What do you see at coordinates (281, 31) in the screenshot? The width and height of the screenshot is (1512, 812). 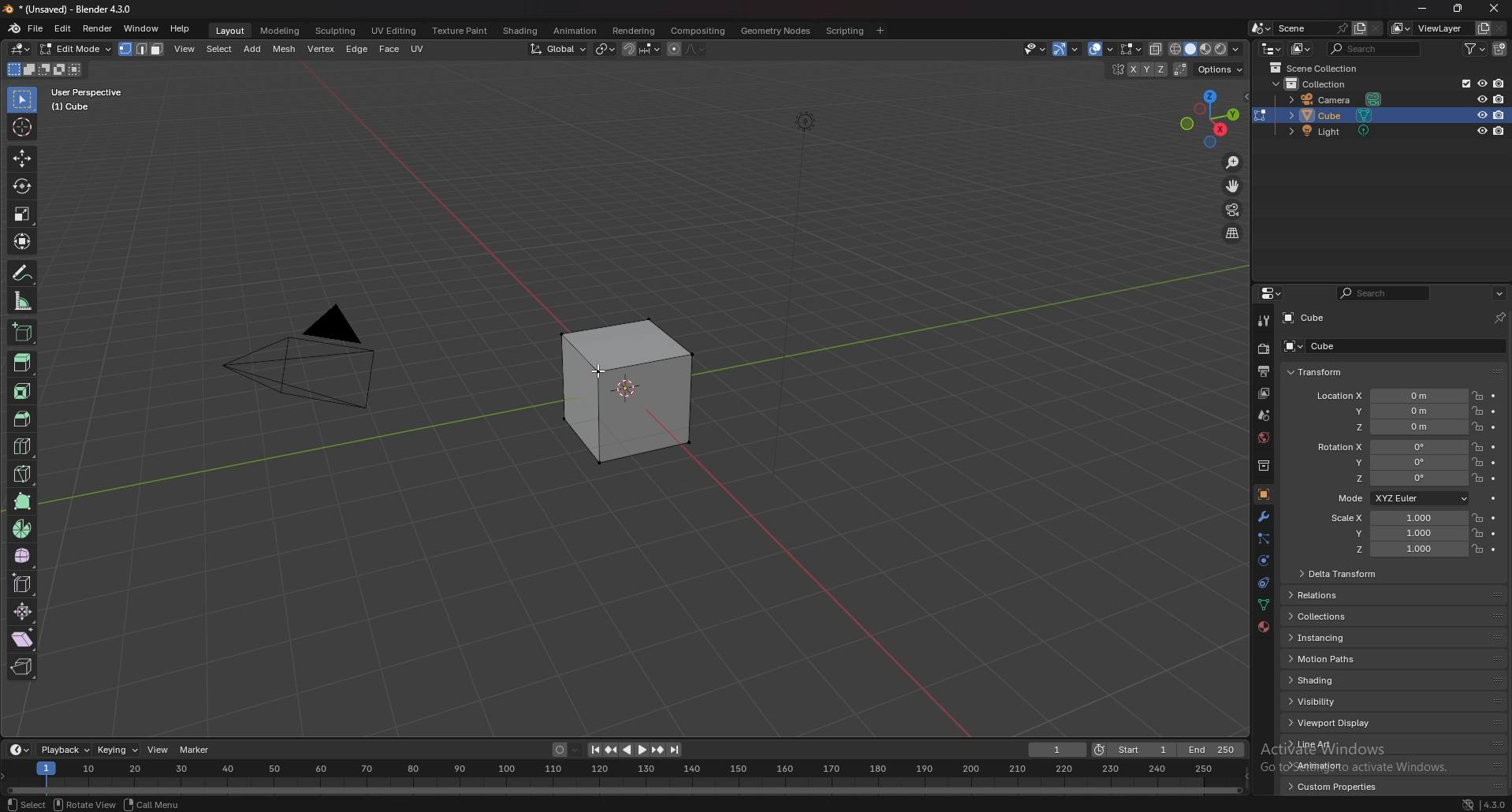 I see `modeling` at bounding box center [281, 31].